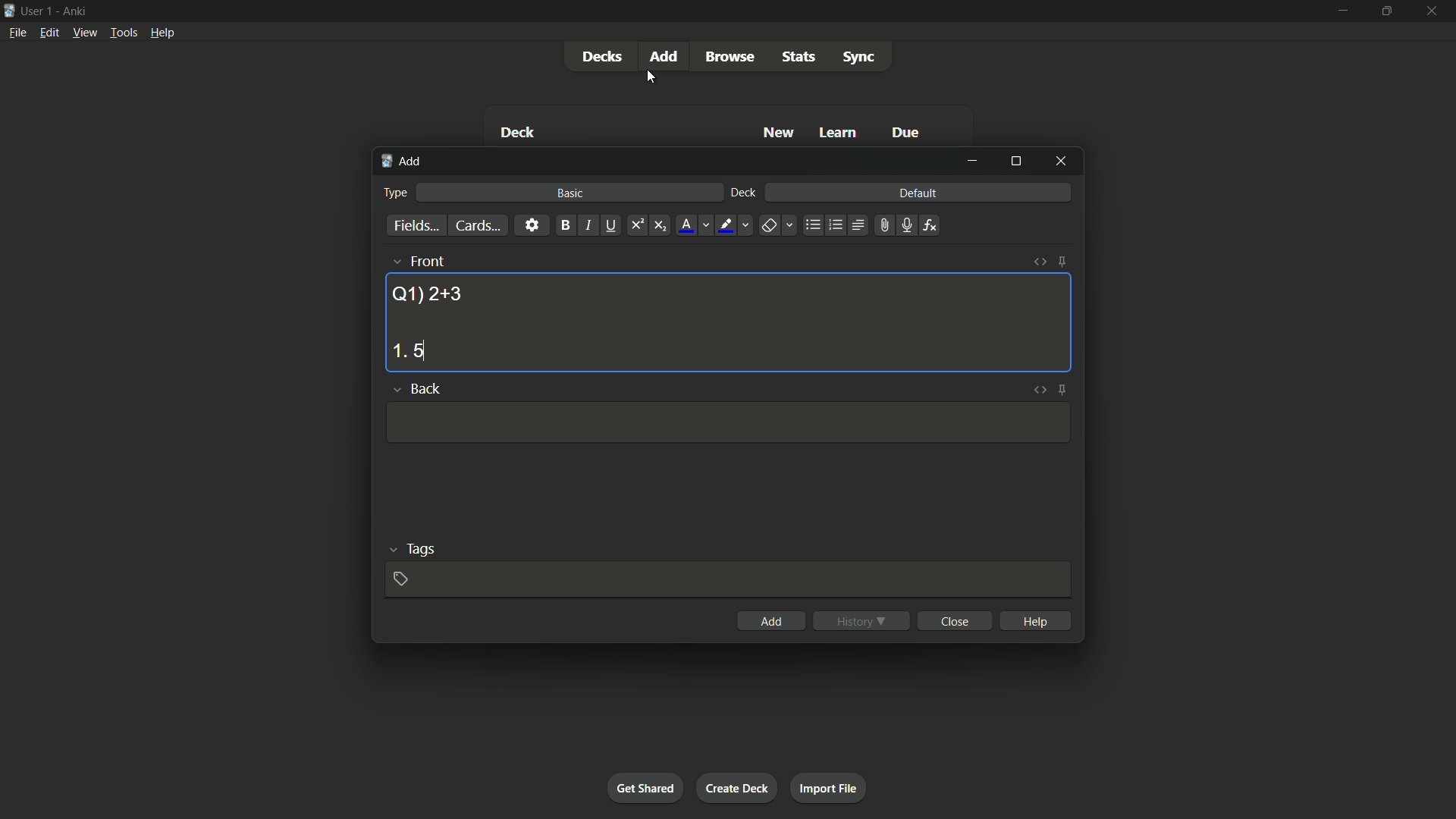 The height and width of the screenshot is (819, 1456). What do you see at coordinates (1062, 262) in the screenshot?
I see `toggle sticky` at bounding box center [1062, 262].